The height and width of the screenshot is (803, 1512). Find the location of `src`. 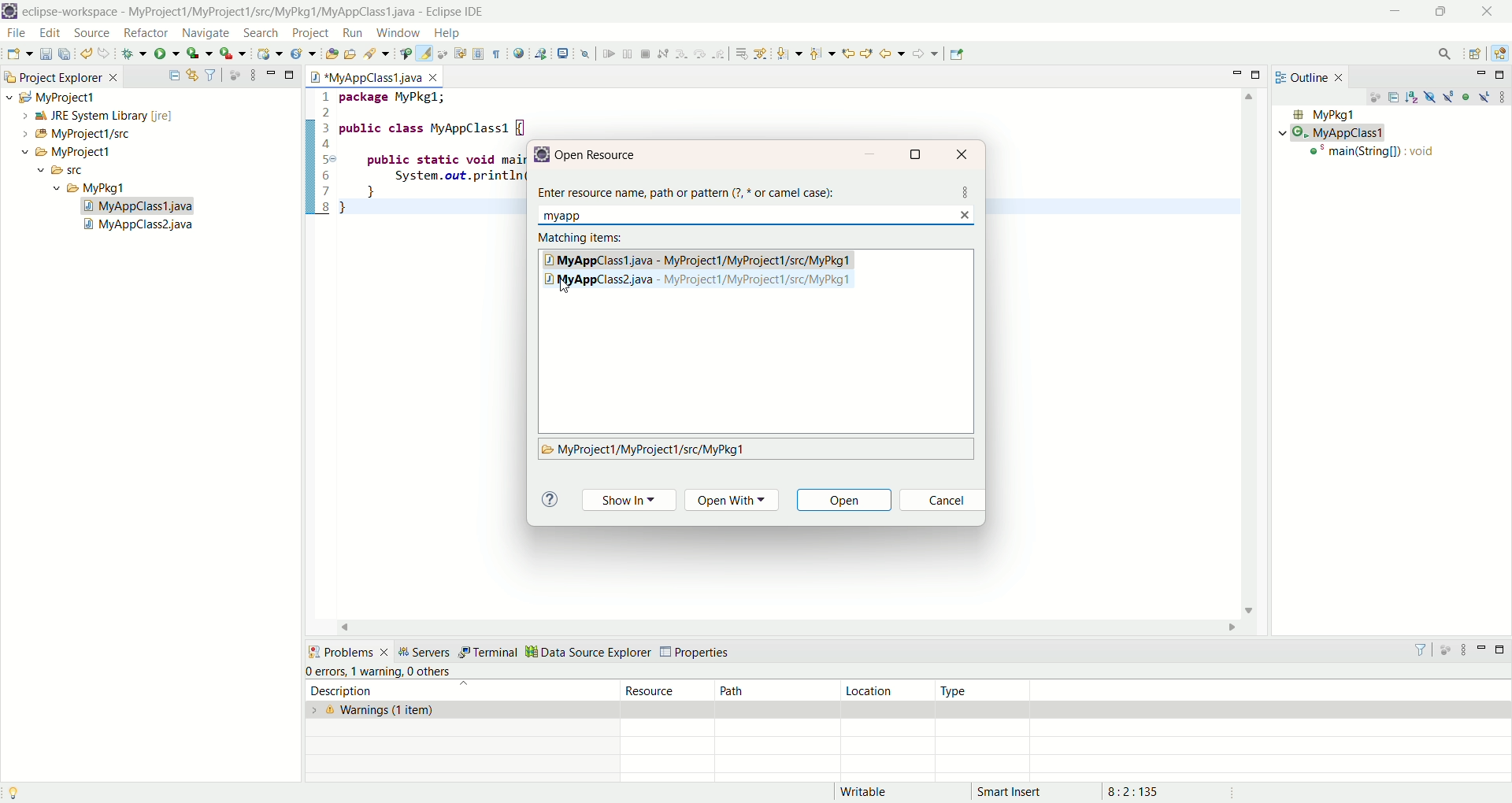

src is located at coordinates (76, 172).